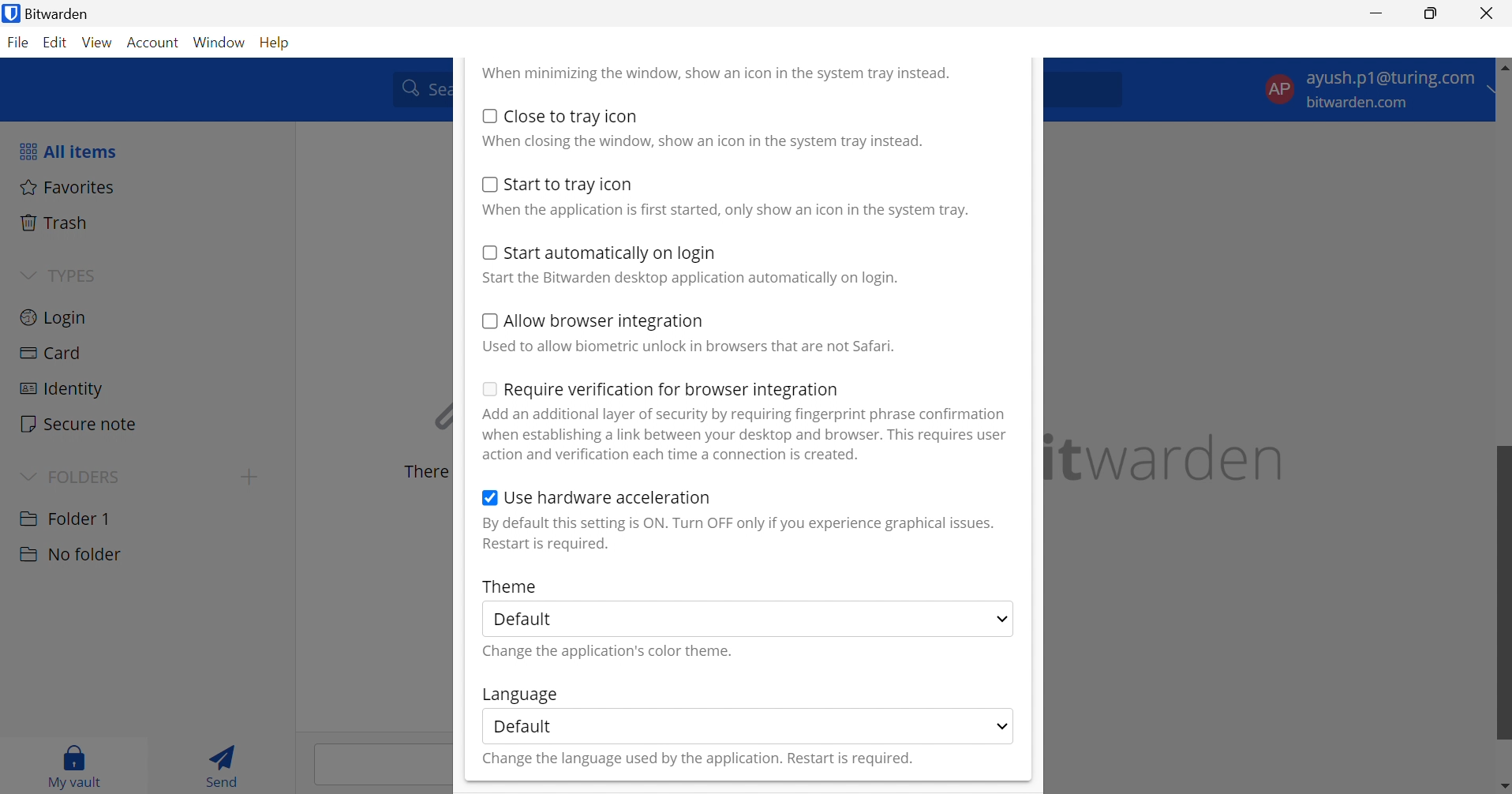 This screenshot has width=1512, height=794. Describe the element at coordinates (518, 695) in the screenshot. I see `Language` at that location.